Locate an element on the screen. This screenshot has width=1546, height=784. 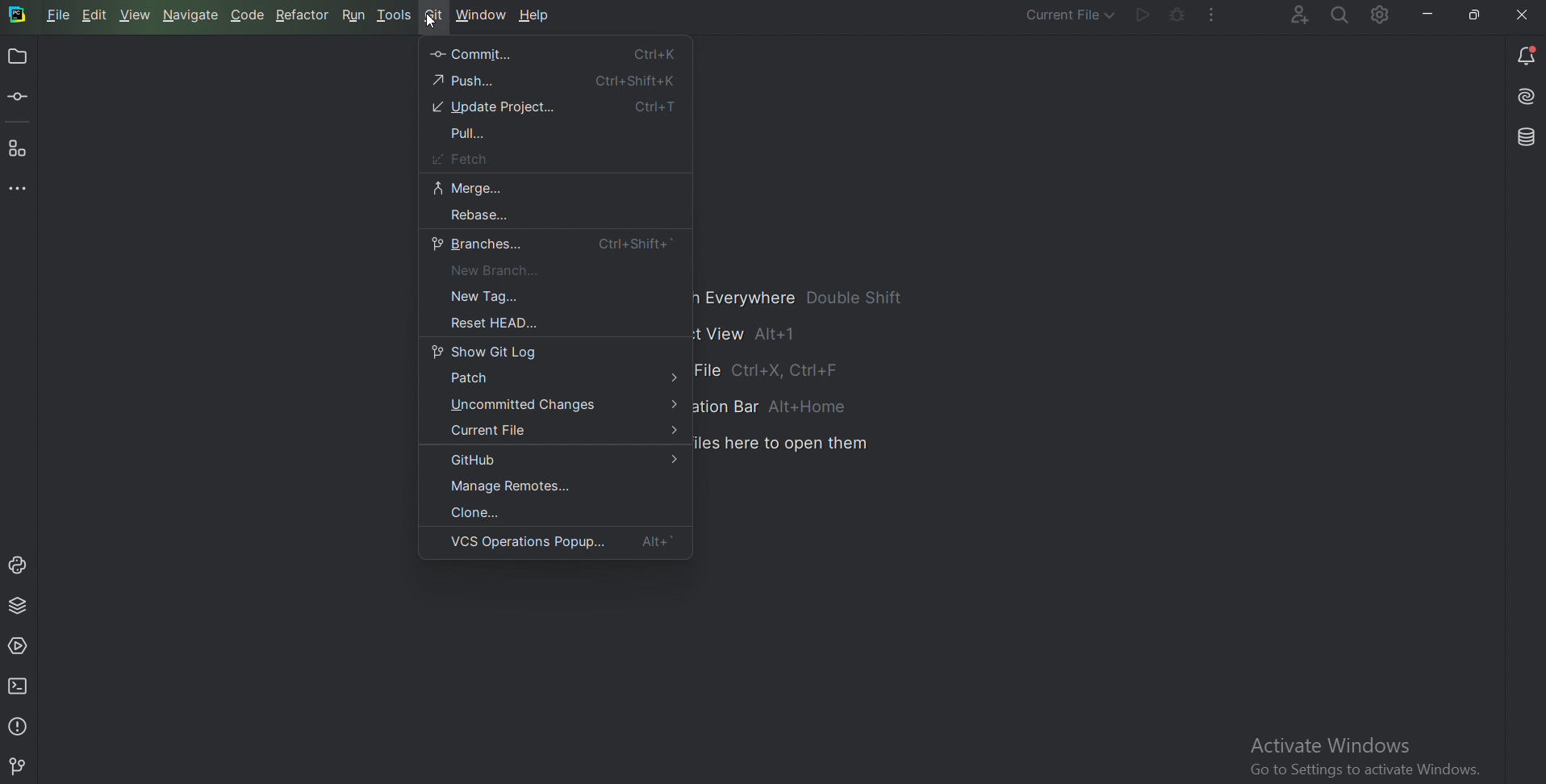
Drop files here to open them is located at coordinates (783, 444).